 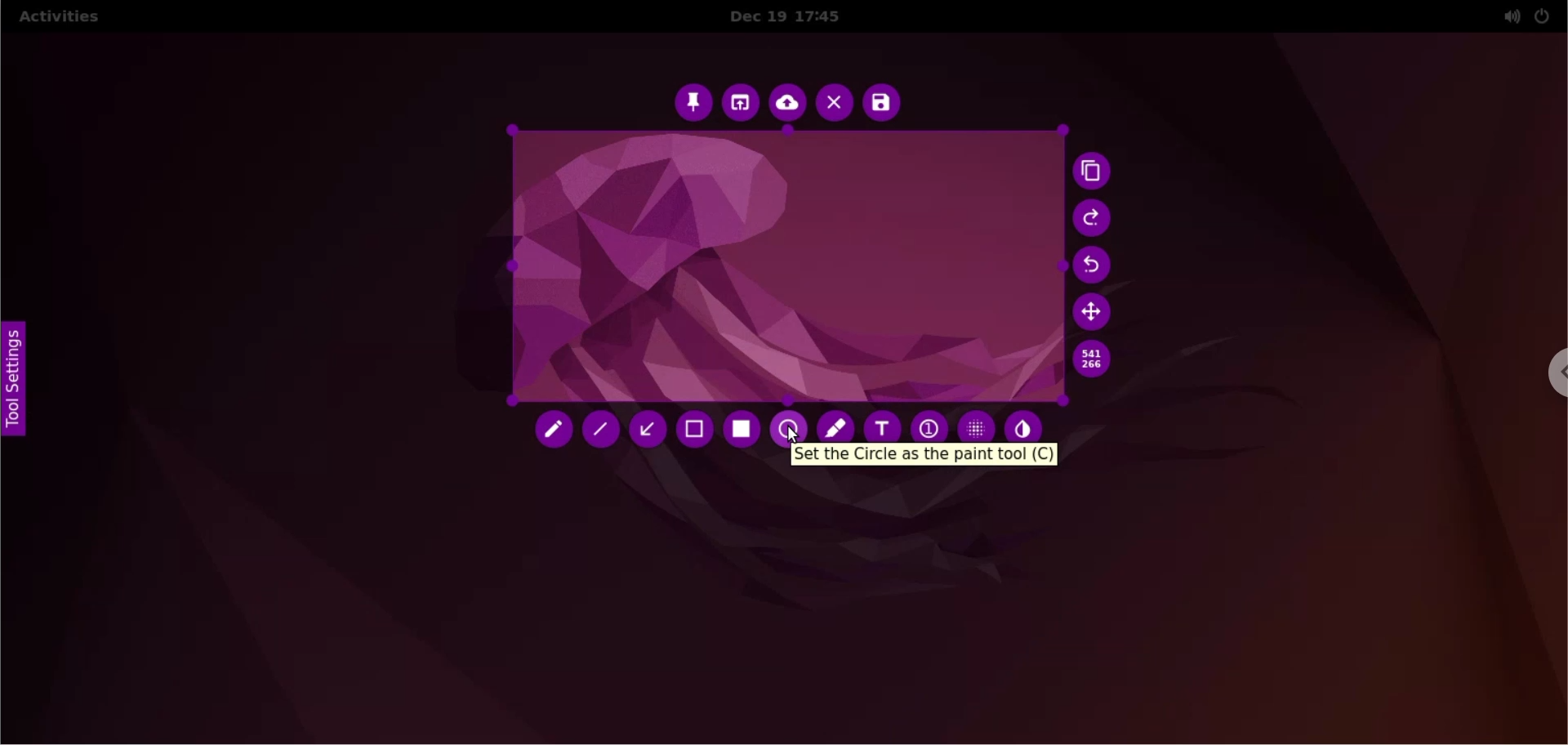 What do you see at coordinates (881, 103) in the screenshot?
I see `save` at bounding box center [881, 103].